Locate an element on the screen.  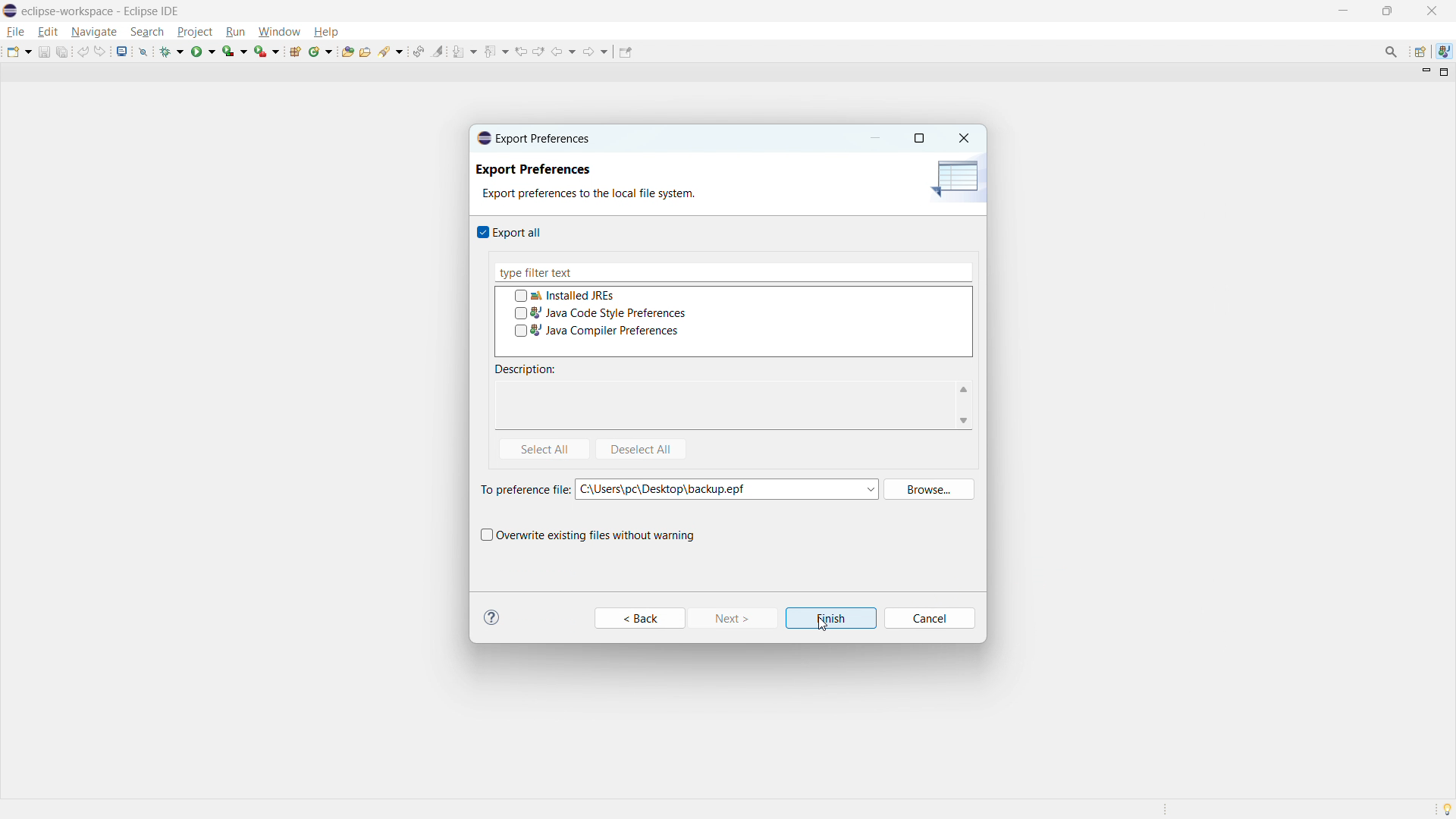
Information is located at coordinates (494, 619).